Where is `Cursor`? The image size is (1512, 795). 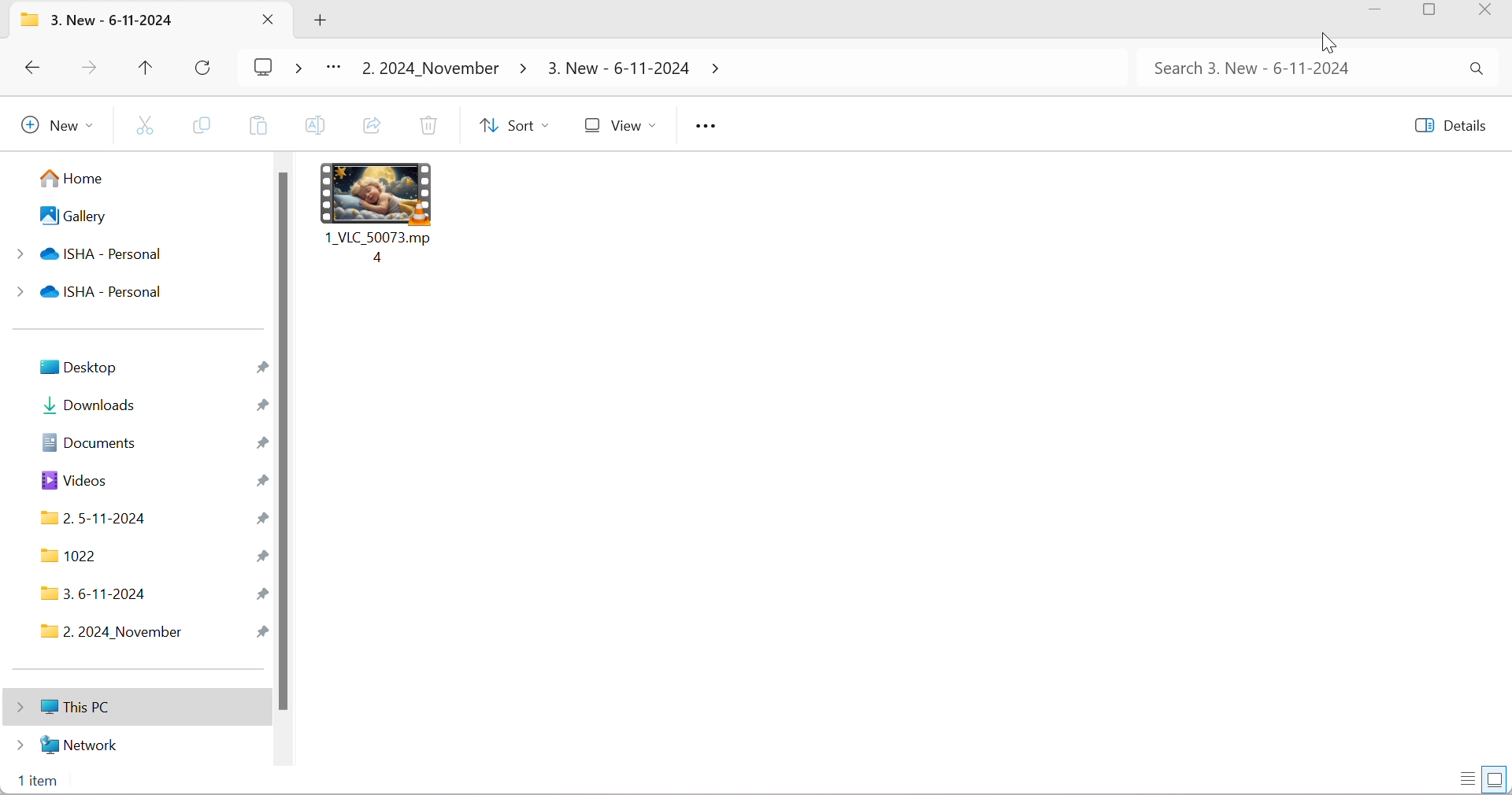 Cursor is located at coordinates (1325, 39).